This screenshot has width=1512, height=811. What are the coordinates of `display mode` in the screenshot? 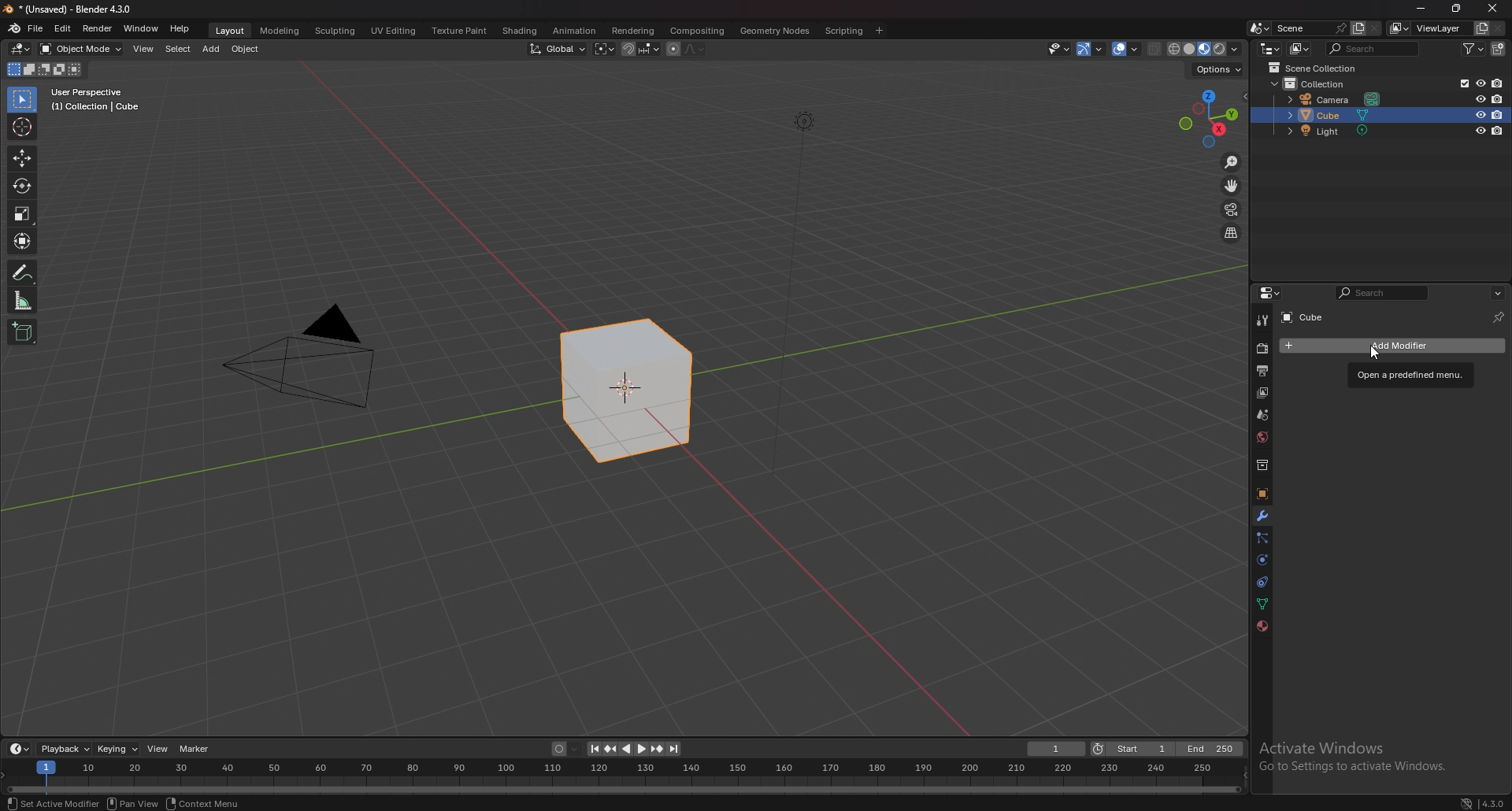 It's located at (1299, 48).